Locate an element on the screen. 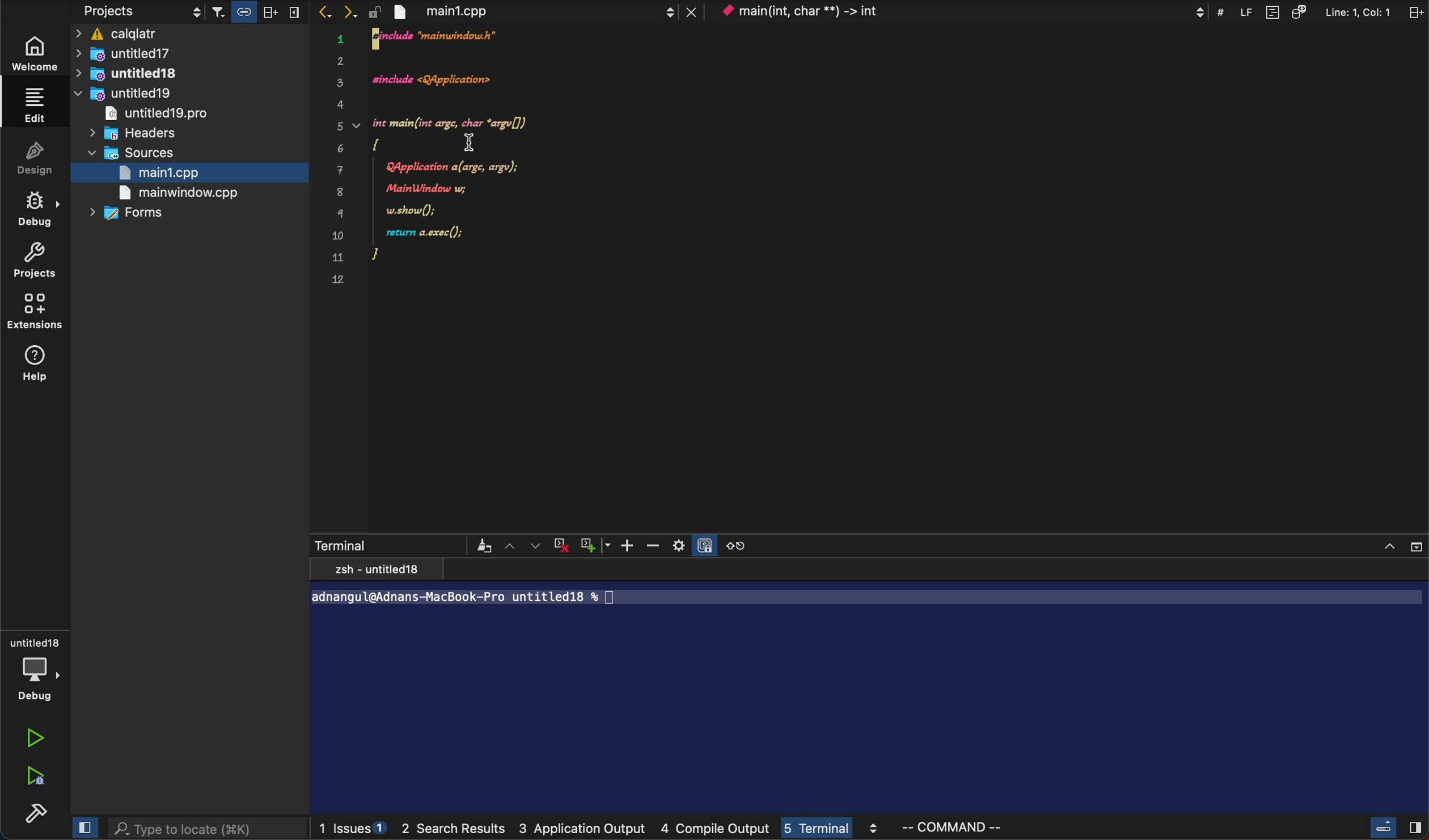 The image size is (1429, 840). split is located at coordinates (1414, 12).